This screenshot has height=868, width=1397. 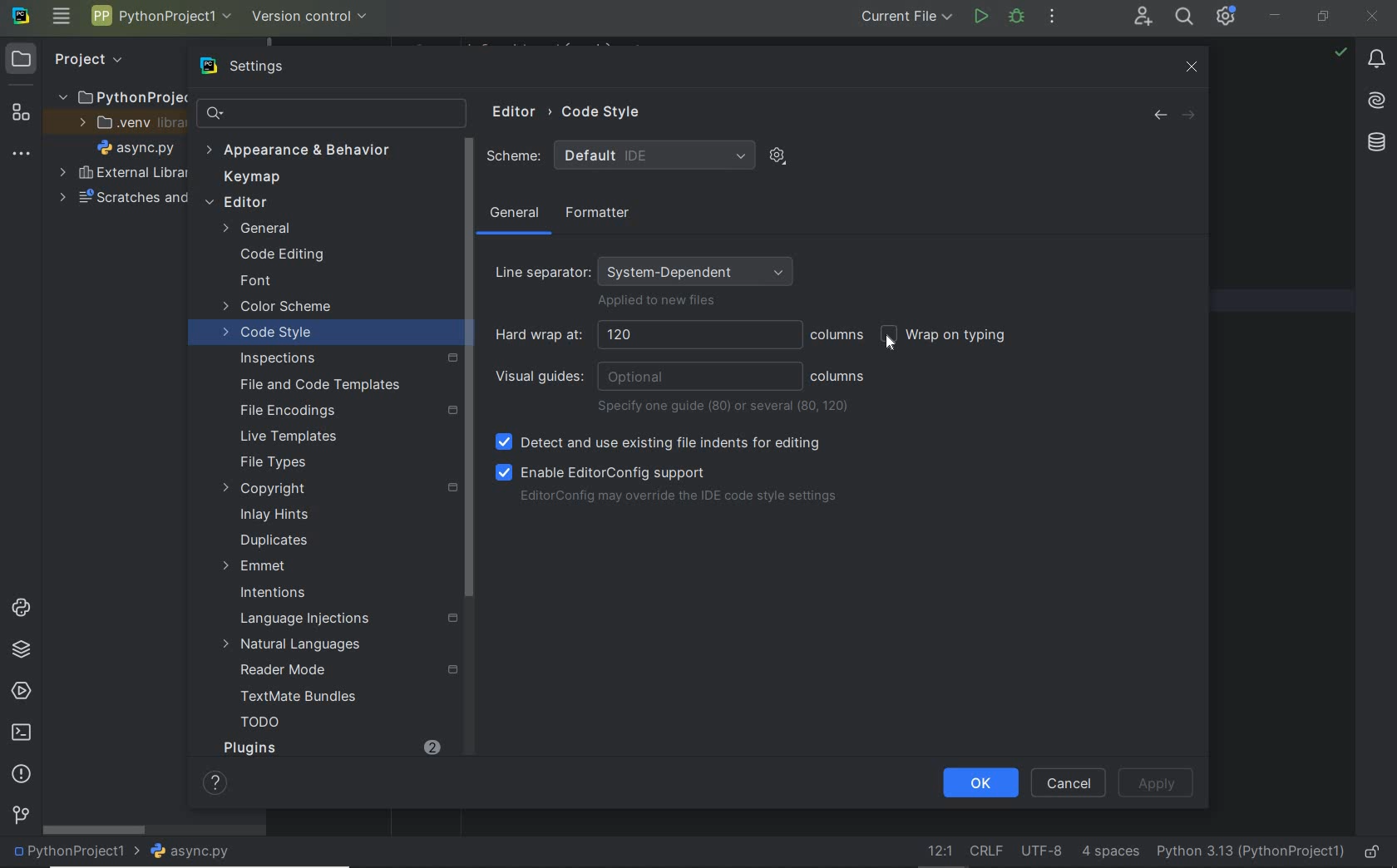 I want to click on back, so click(x=1159, y=116).